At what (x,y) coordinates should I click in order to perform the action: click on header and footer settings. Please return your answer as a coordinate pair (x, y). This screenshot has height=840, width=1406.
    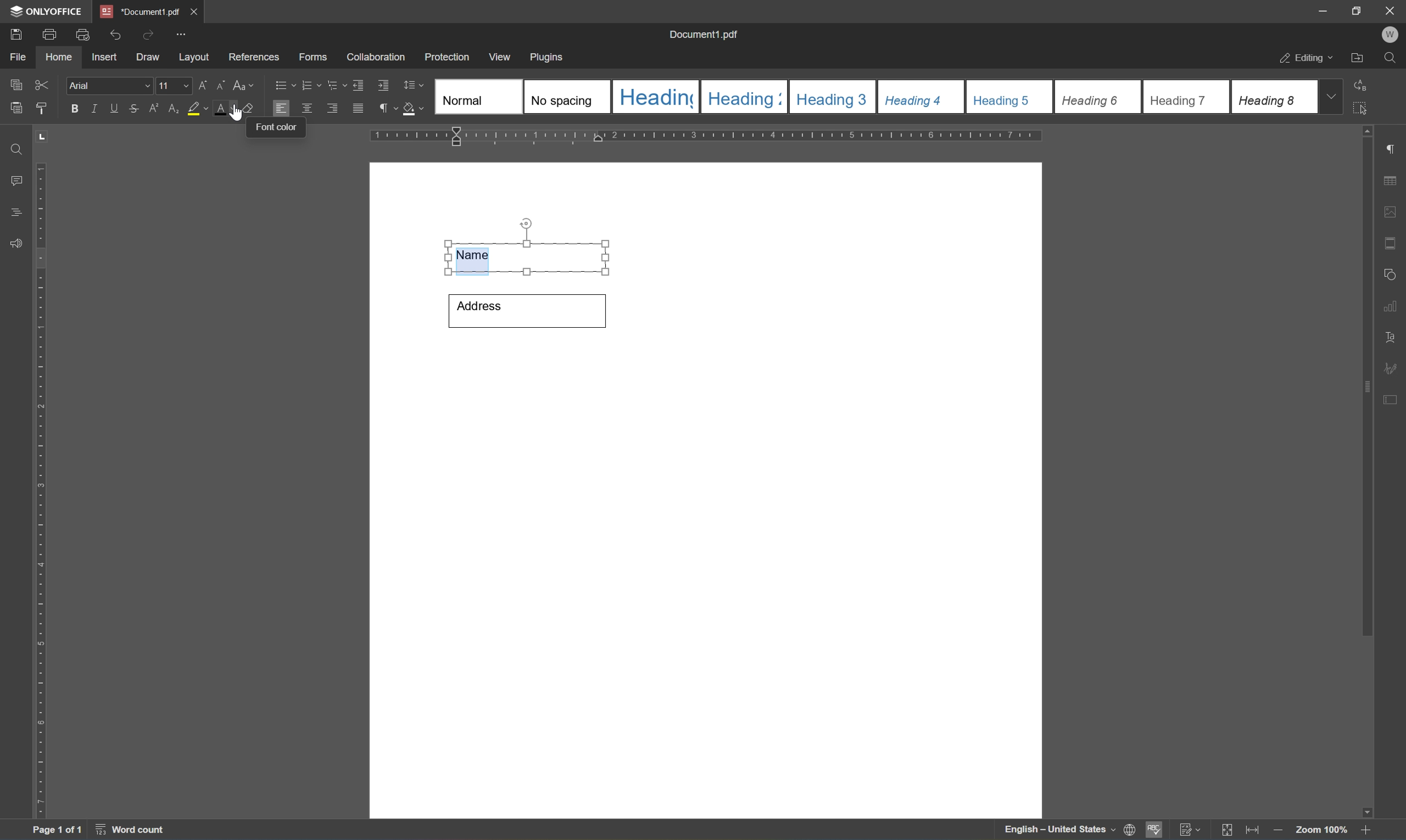
    Looking at the image, I should click on (1390, 242).